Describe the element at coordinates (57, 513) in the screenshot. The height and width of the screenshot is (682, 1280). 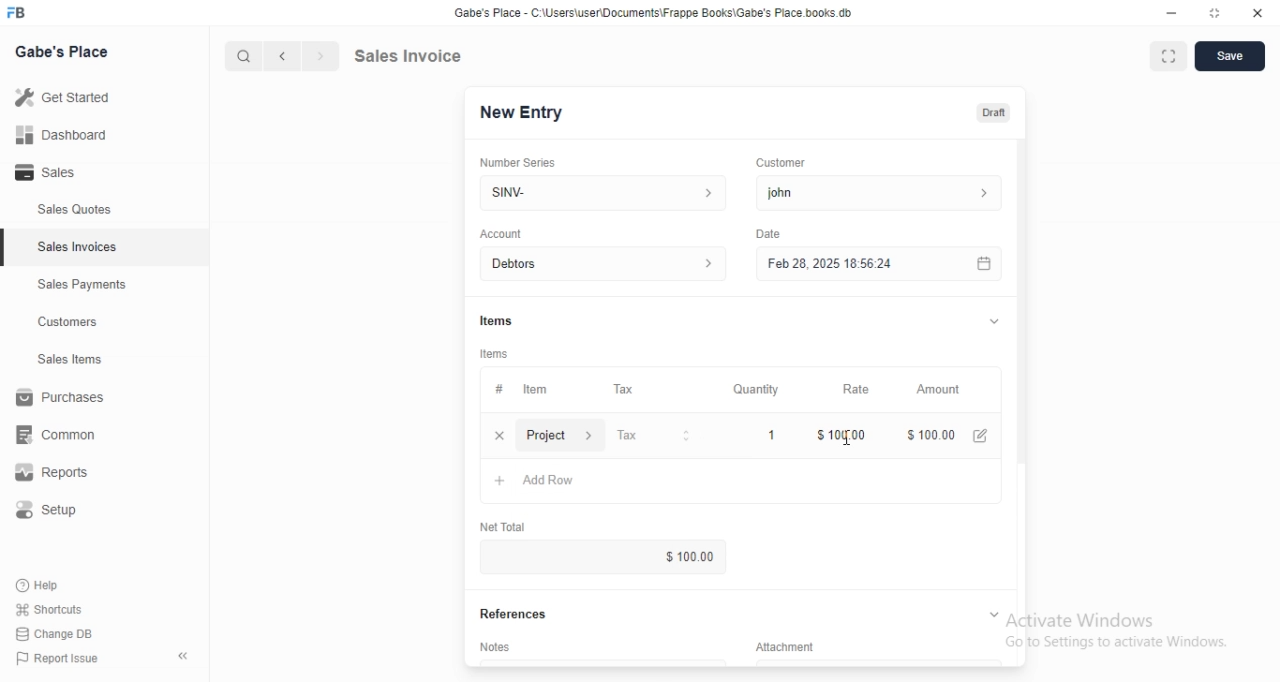
I see `Setup` at that location.